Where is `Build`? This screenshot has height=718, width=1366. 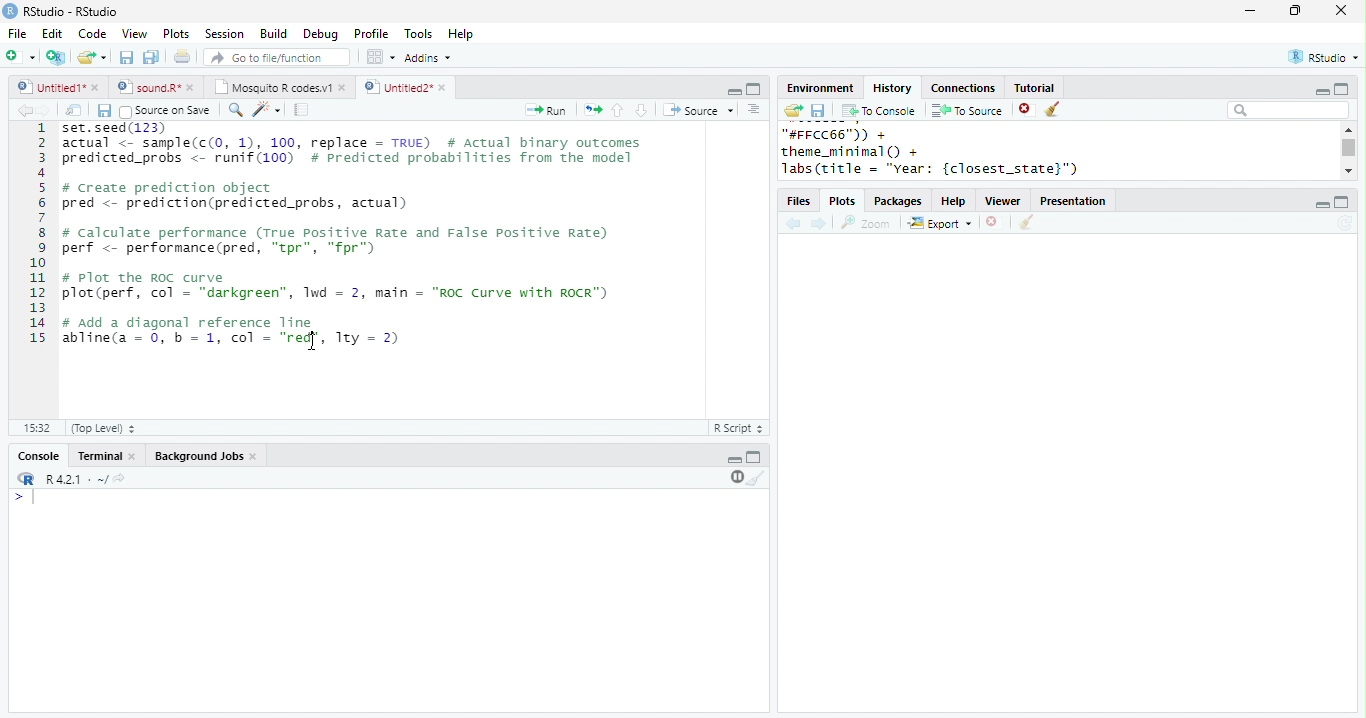 Build is located at coordinates (273, 34).